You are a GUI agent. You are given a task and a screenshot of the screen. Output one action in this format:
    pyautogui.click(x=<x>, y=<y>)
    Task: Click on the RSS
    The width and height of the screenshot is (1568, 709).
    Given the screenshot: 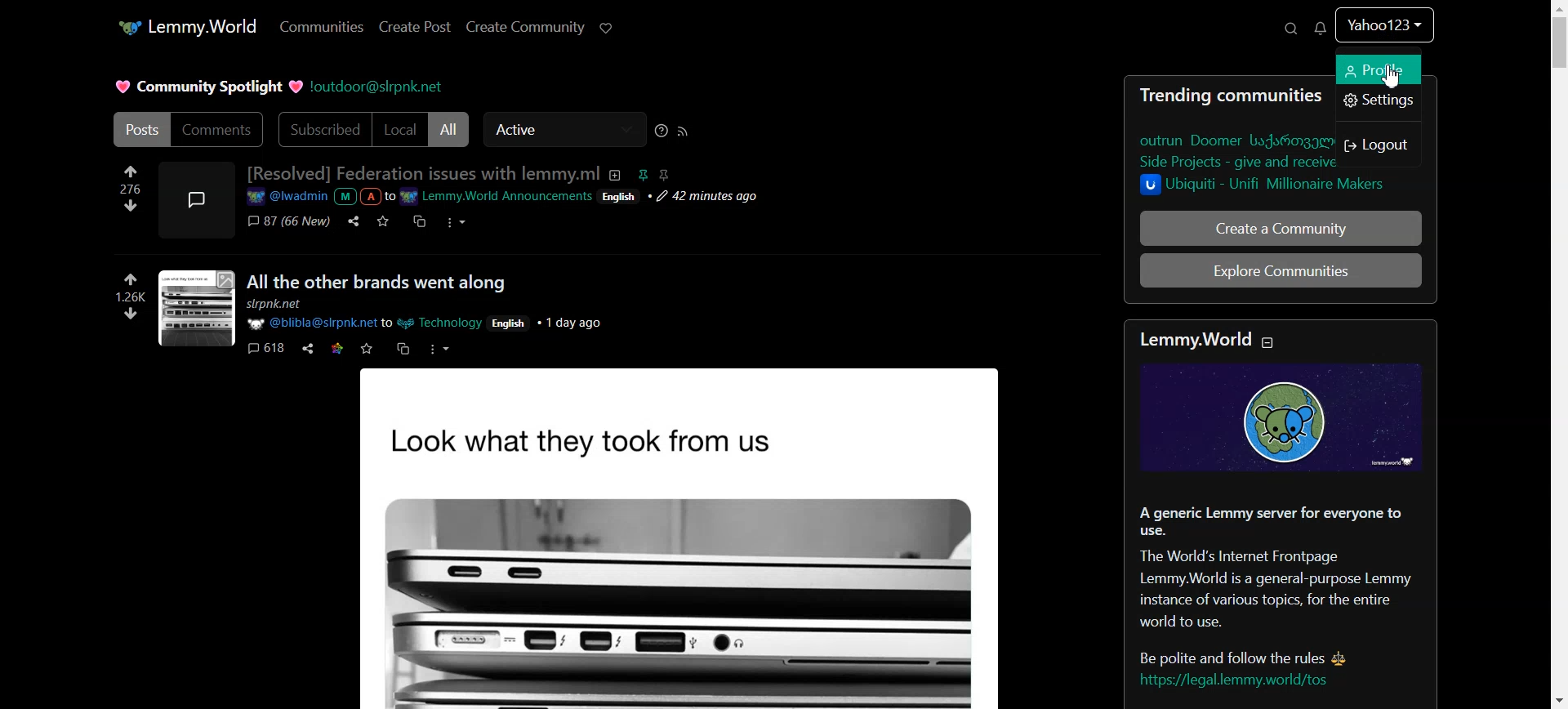 What is the action you would take?
    pyautogui.click(x=683, y=131)
    